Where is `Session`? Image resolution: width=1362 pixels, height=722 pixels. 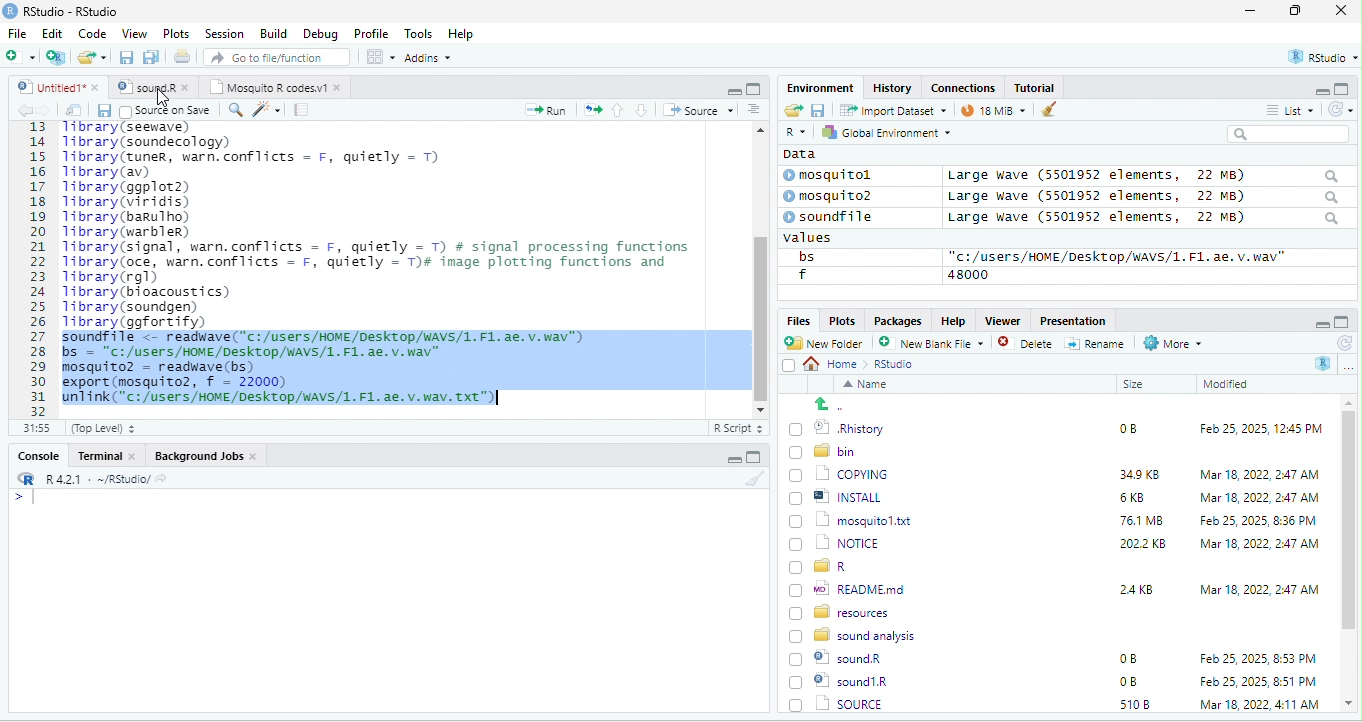 Session is located at coordinates (225, 32).